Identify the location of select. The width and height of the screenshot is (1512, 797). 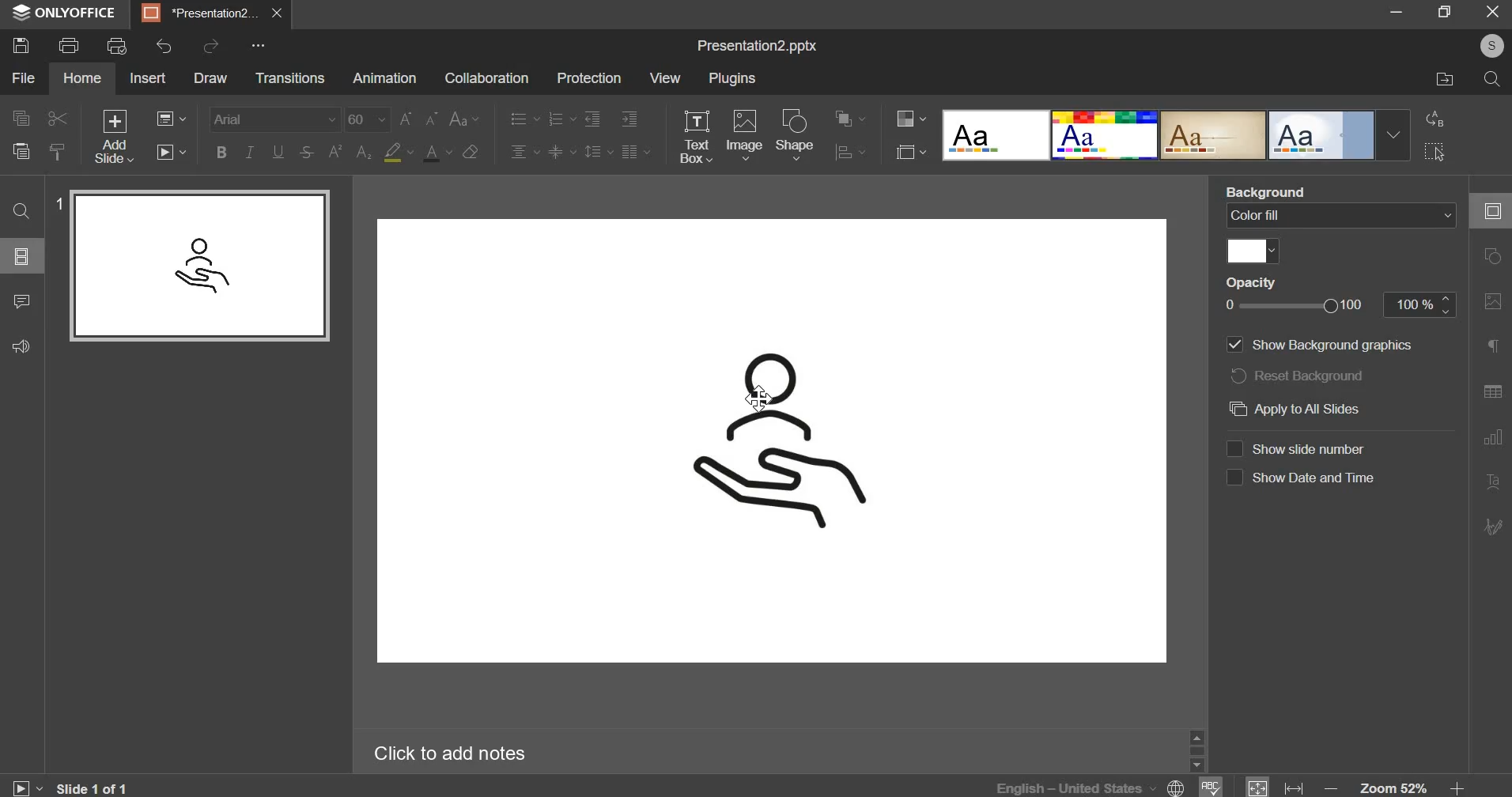
(1435, 152).